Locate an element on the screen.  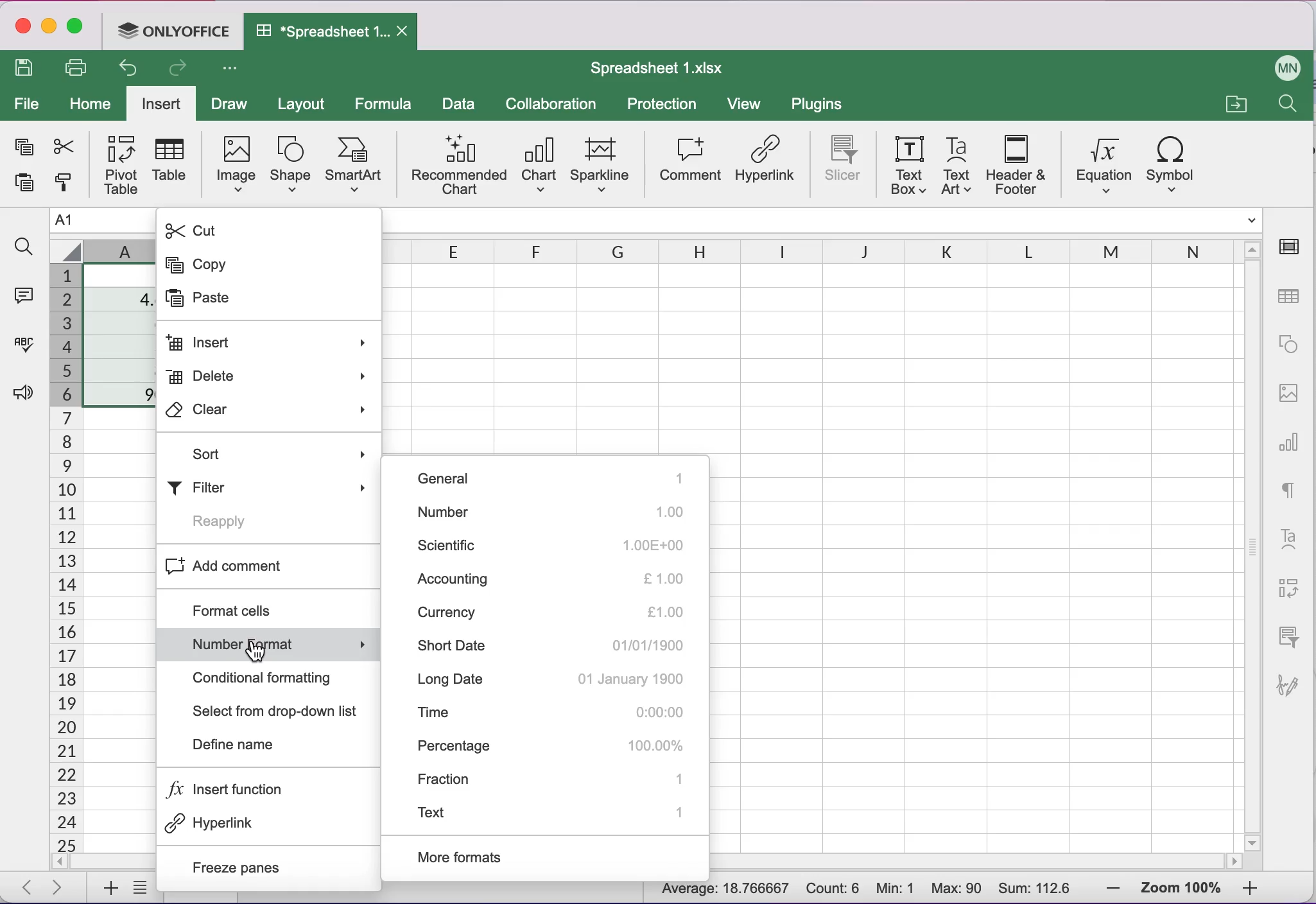
text is located at coordinates (1292, 492).